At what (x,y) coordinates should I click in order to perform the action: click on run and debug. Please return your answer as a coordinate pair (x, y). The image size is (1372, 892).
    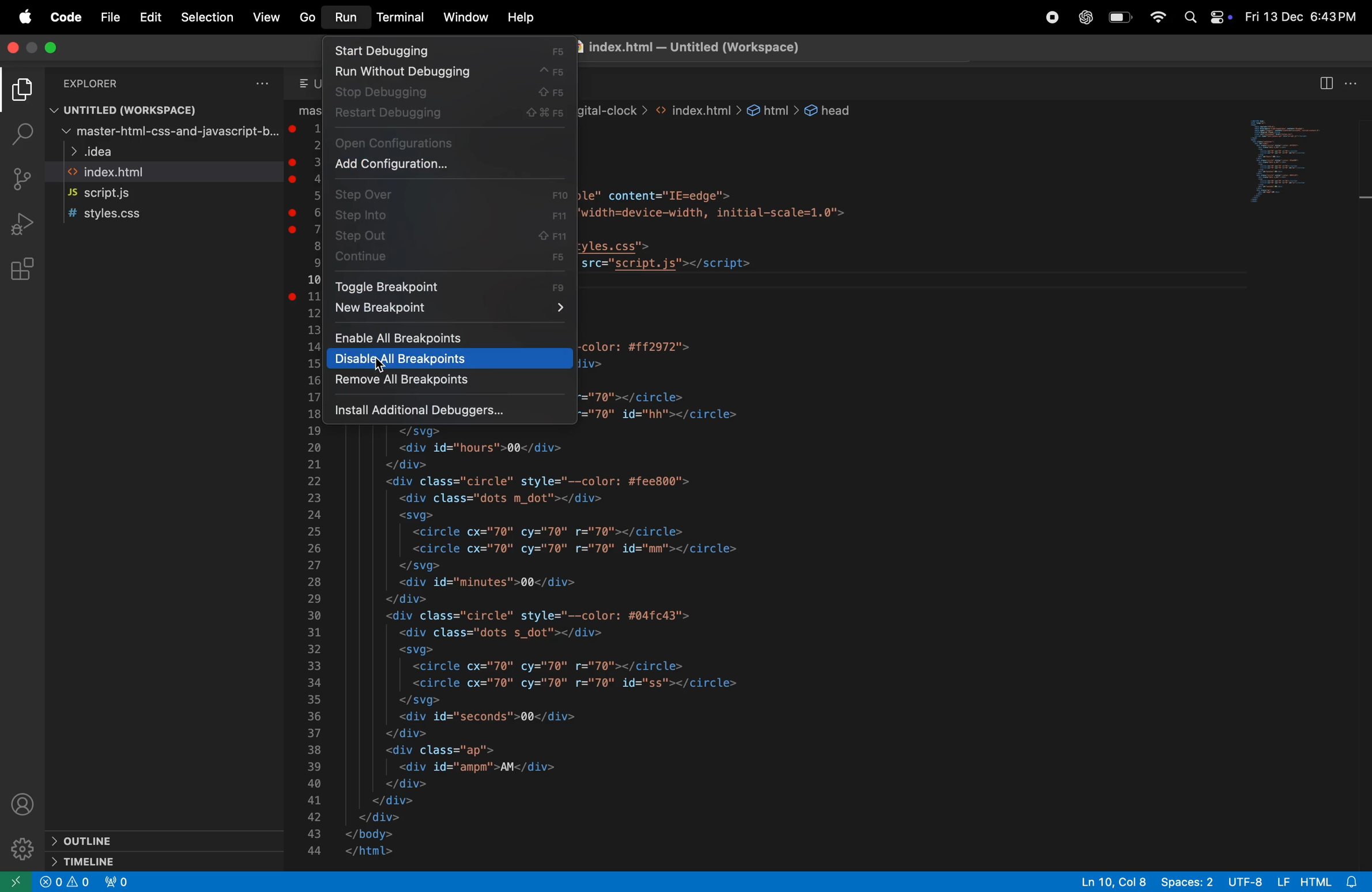
    Looking at the image, I should click on (22, 226).